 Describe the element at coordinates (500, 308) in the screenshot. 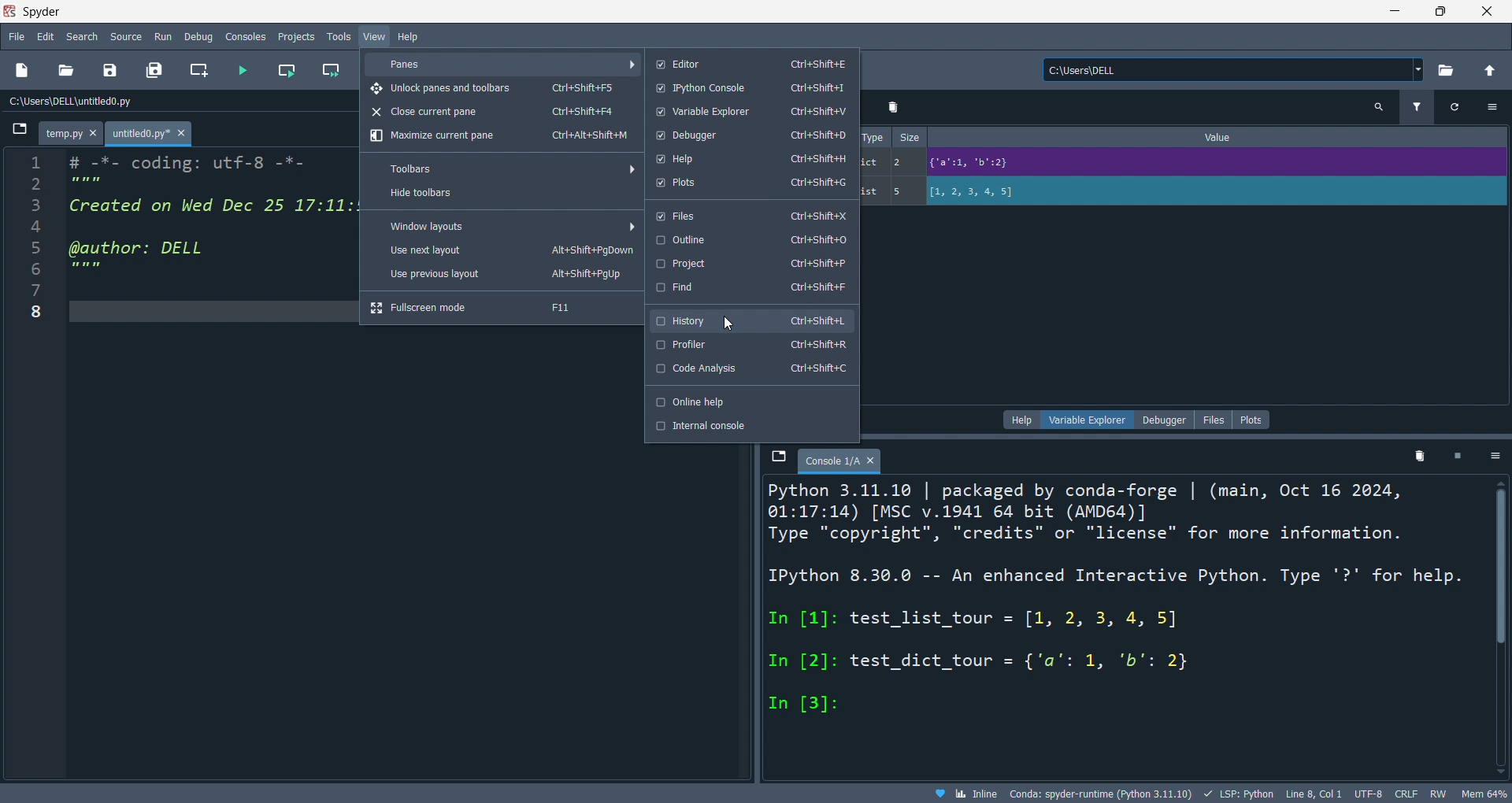

I see `fullscreen mode` at that location.